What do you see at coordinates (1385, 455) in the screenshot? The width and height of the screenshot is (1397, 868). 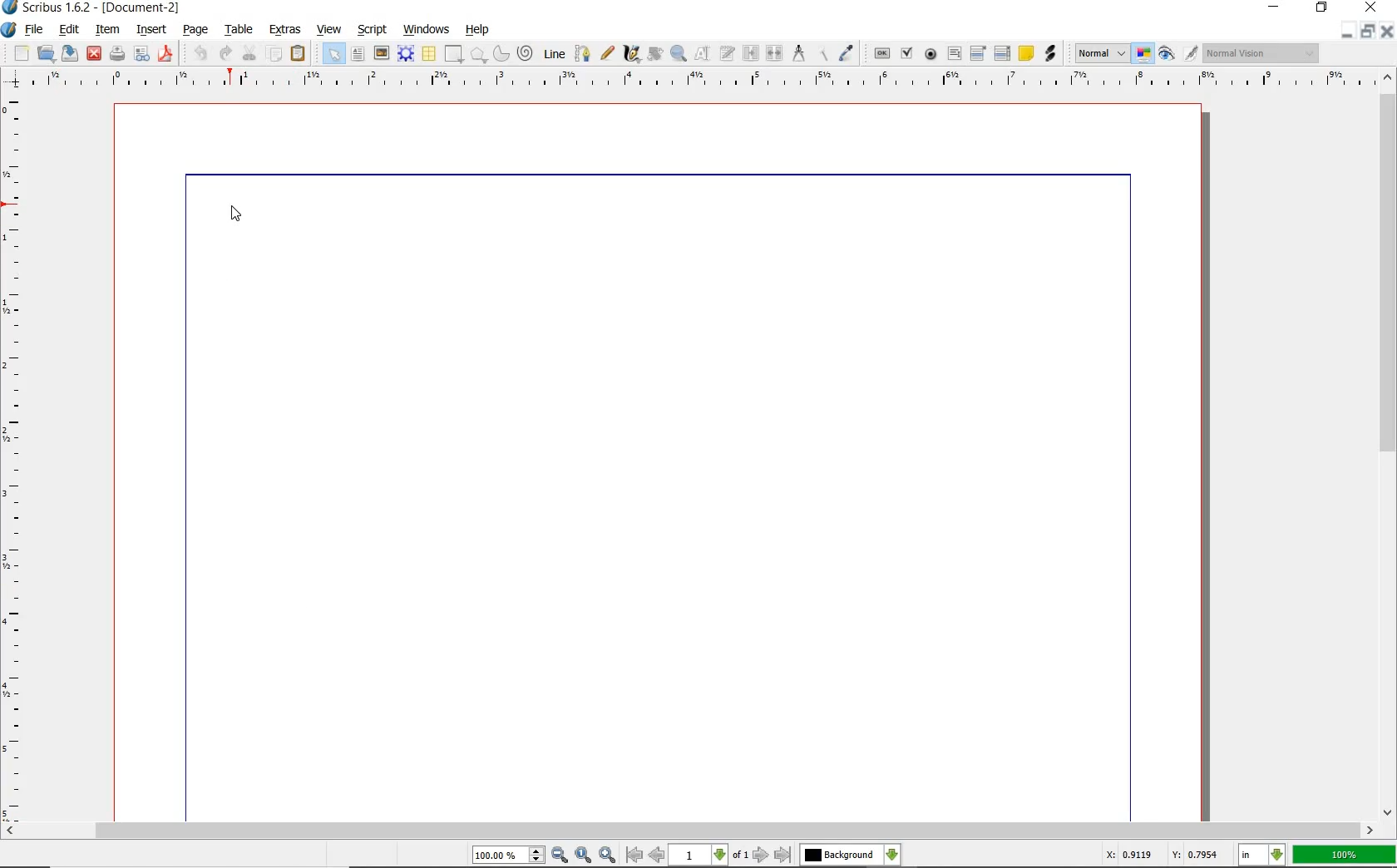 I see `scrollbar` at bounding box center [1385, 455].